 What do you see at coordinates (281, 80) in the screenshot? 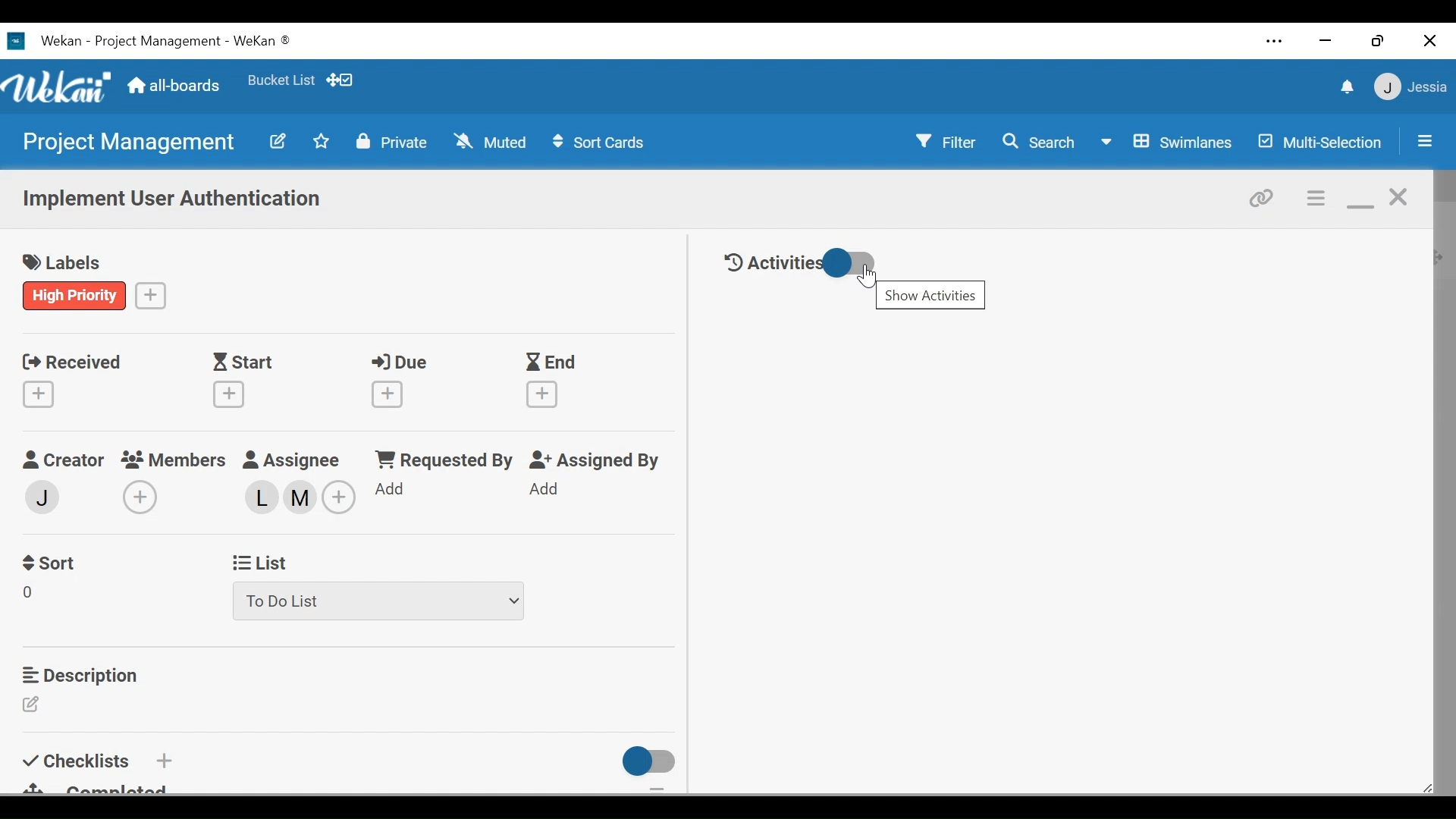
I see `Favorites` at bounding box center [281, 80].